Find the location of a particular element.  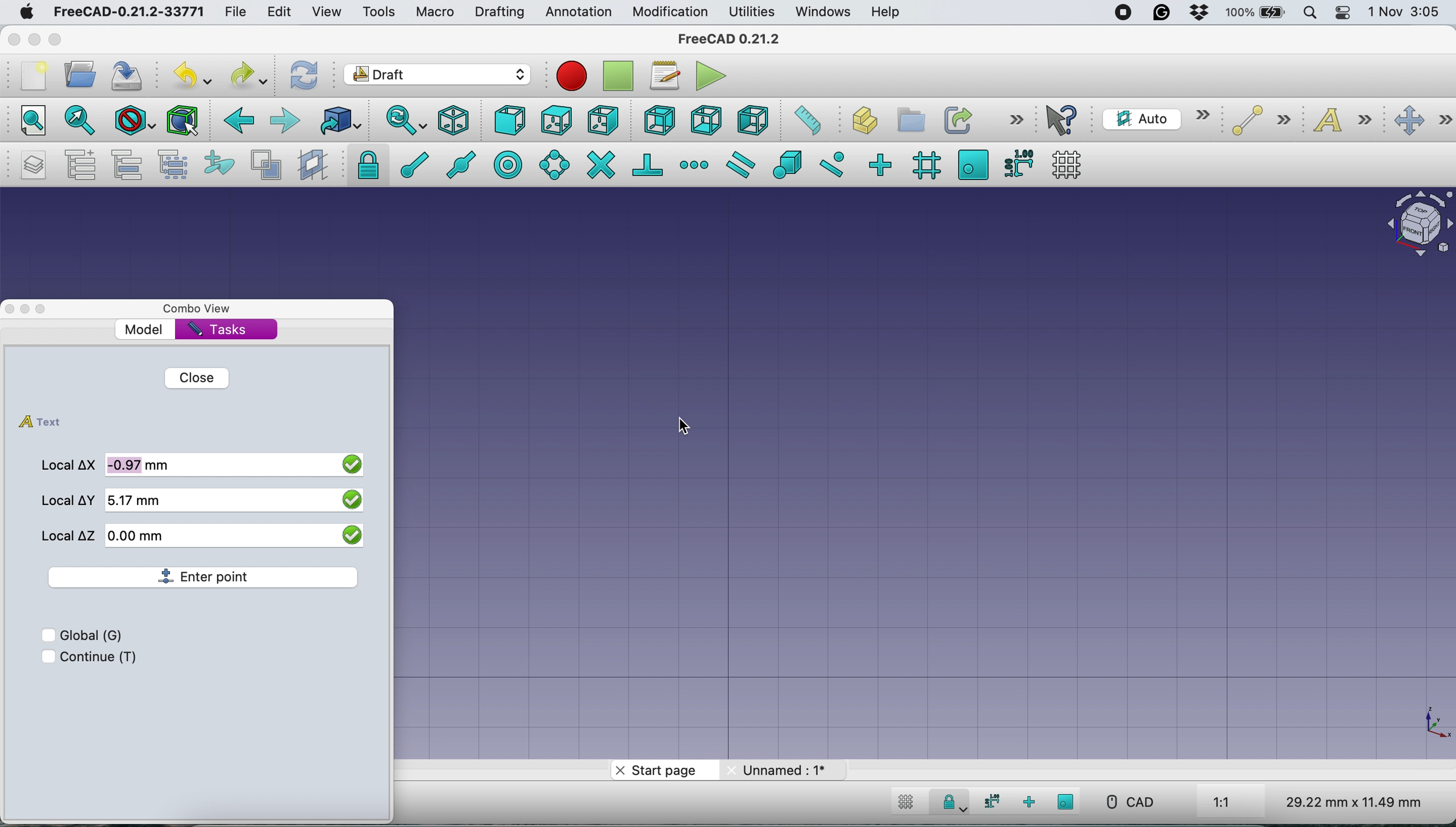

checkbox is located at coordinates (43, 657).